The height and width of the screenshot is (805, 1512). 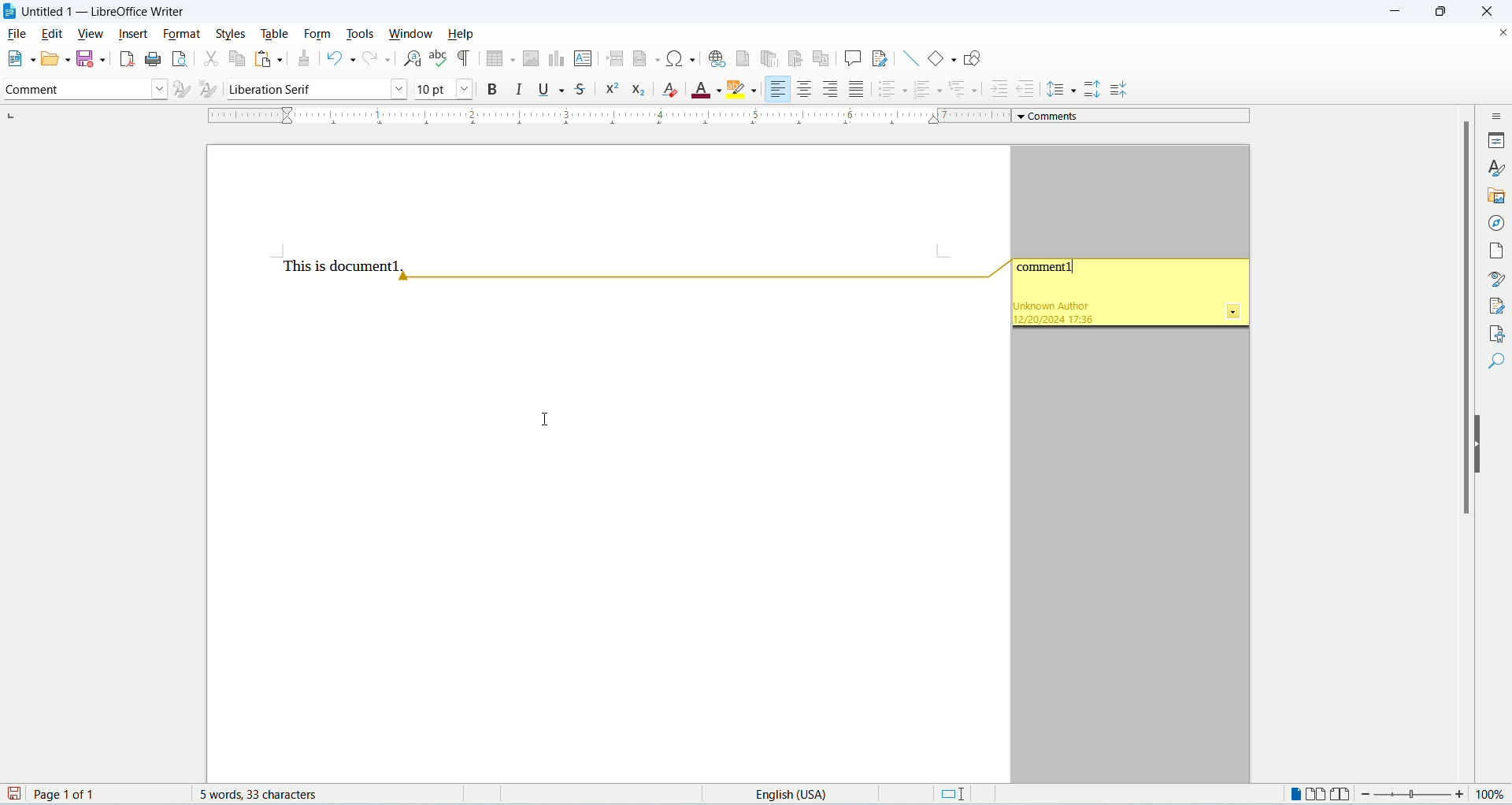 What do you see at coordinates (972, 57) in the screenshot?
I see `draw function` at bounding box center [972, 57].